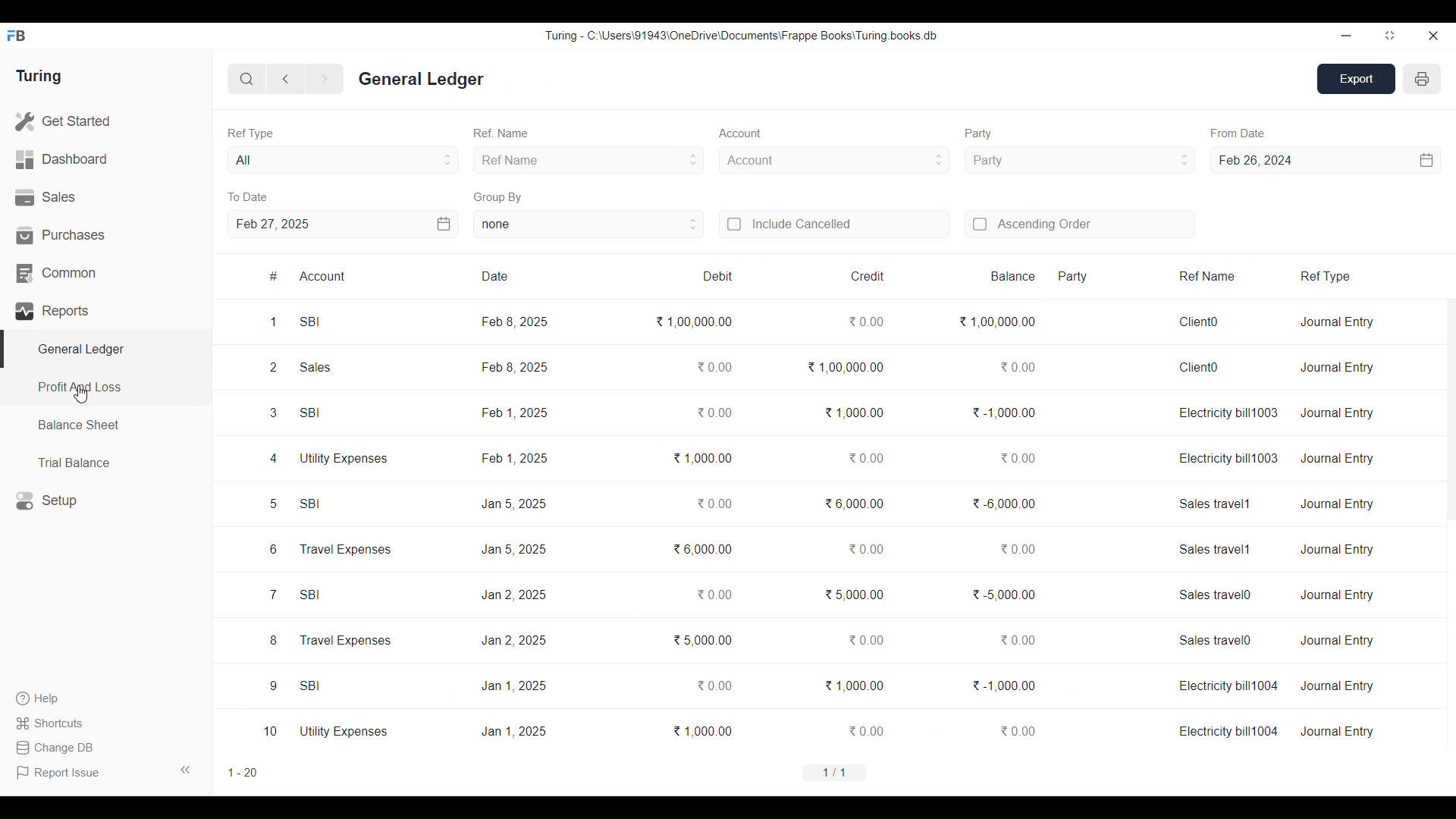 This screenshot has height=819, width=1456. What do you see at coordinates (106, 235) in the screenshot?
I see `Purchases` at bounding box center [106, 235].